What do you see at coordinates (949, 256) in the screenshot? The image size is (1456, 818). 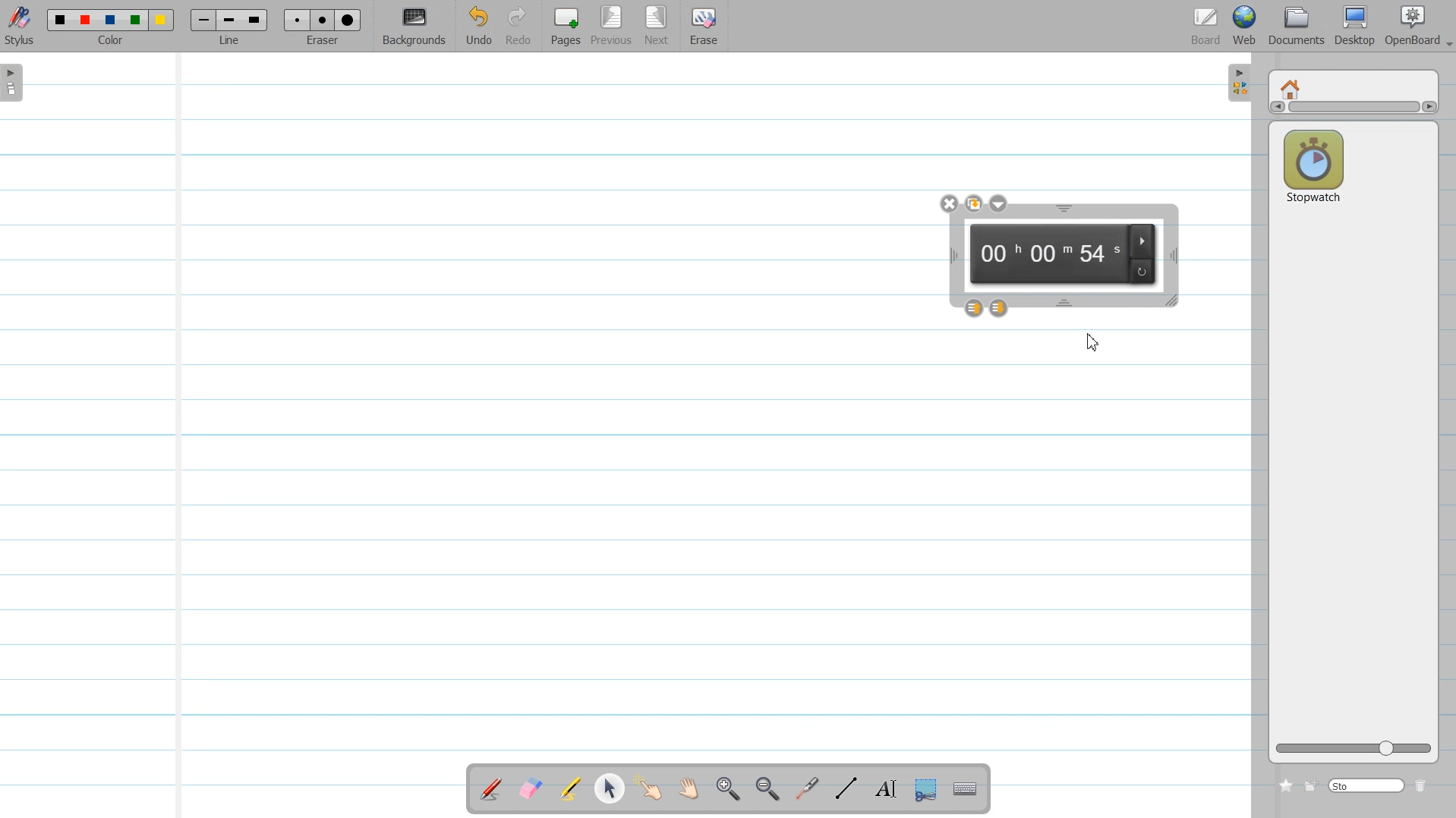 I see `Time window width adjustment` at bounding box center [949, 256].